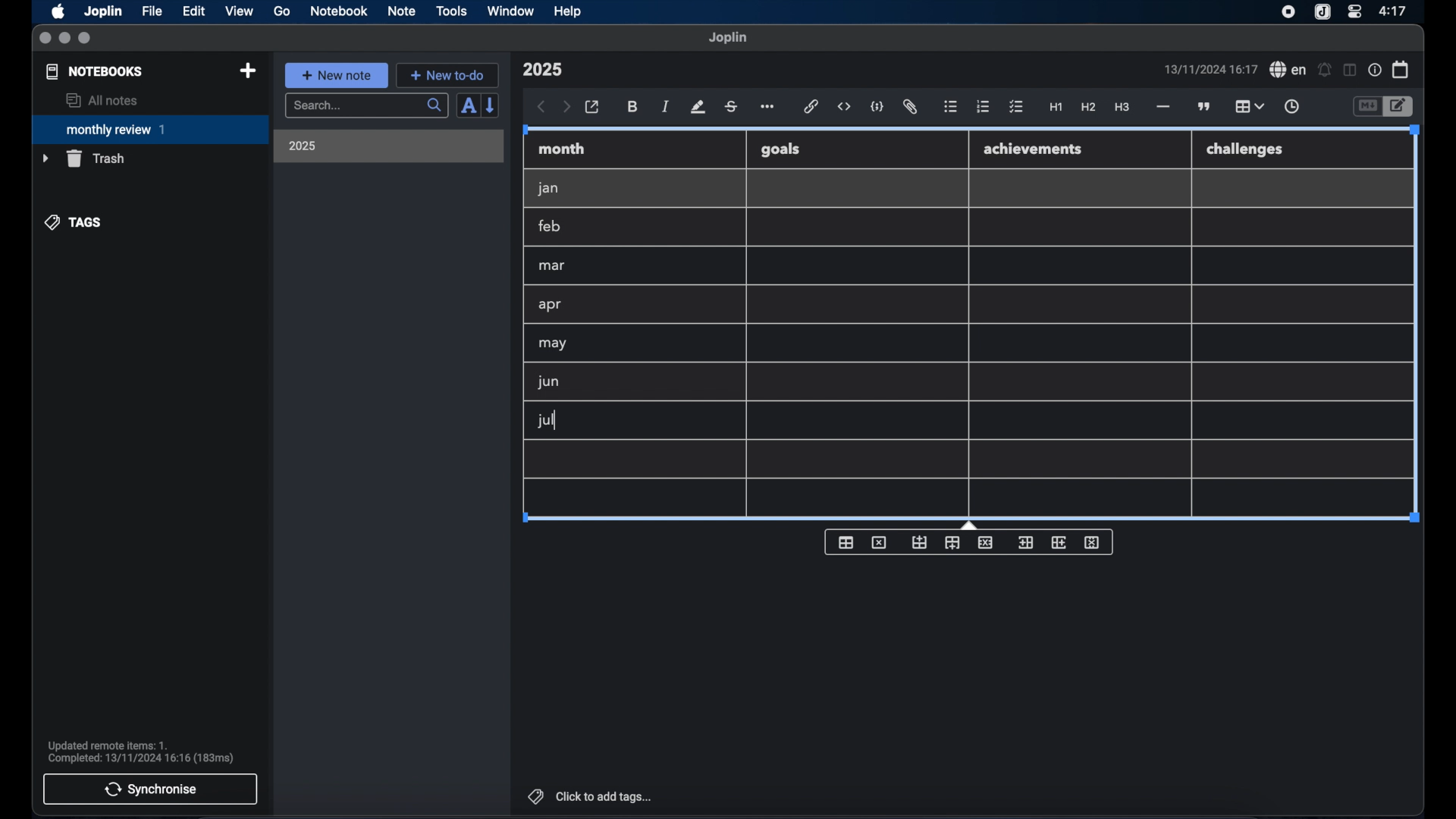  What do you see at coordinates (1016, 108) in the screenshot?
I see `check  list` at bounding box center [1016, 108].